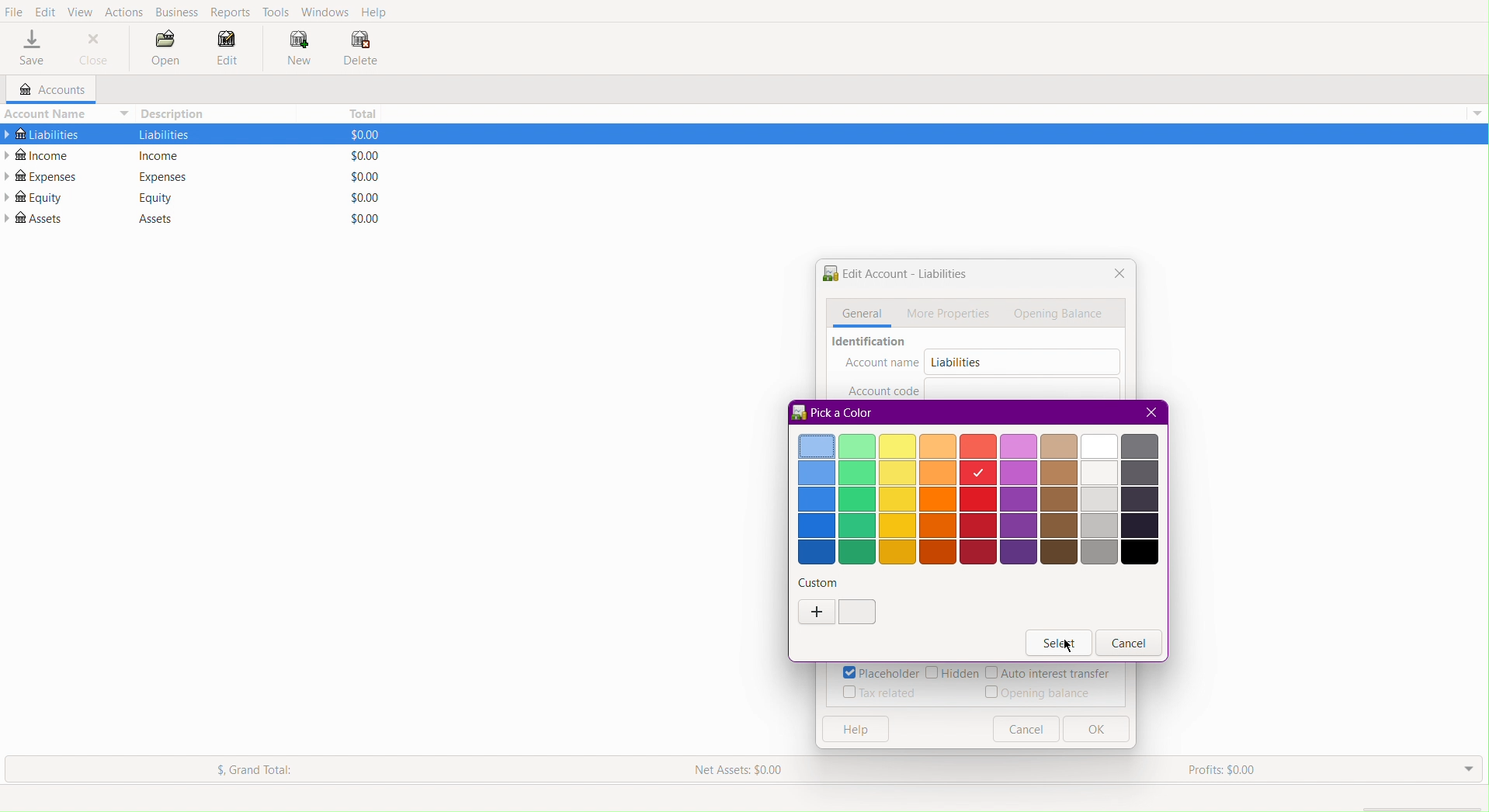 This screenshot has height=812, width=1489. What do you see at coordinates (815, 611) in the screenshot?
I see `Add` at bounding box center [815, 611].